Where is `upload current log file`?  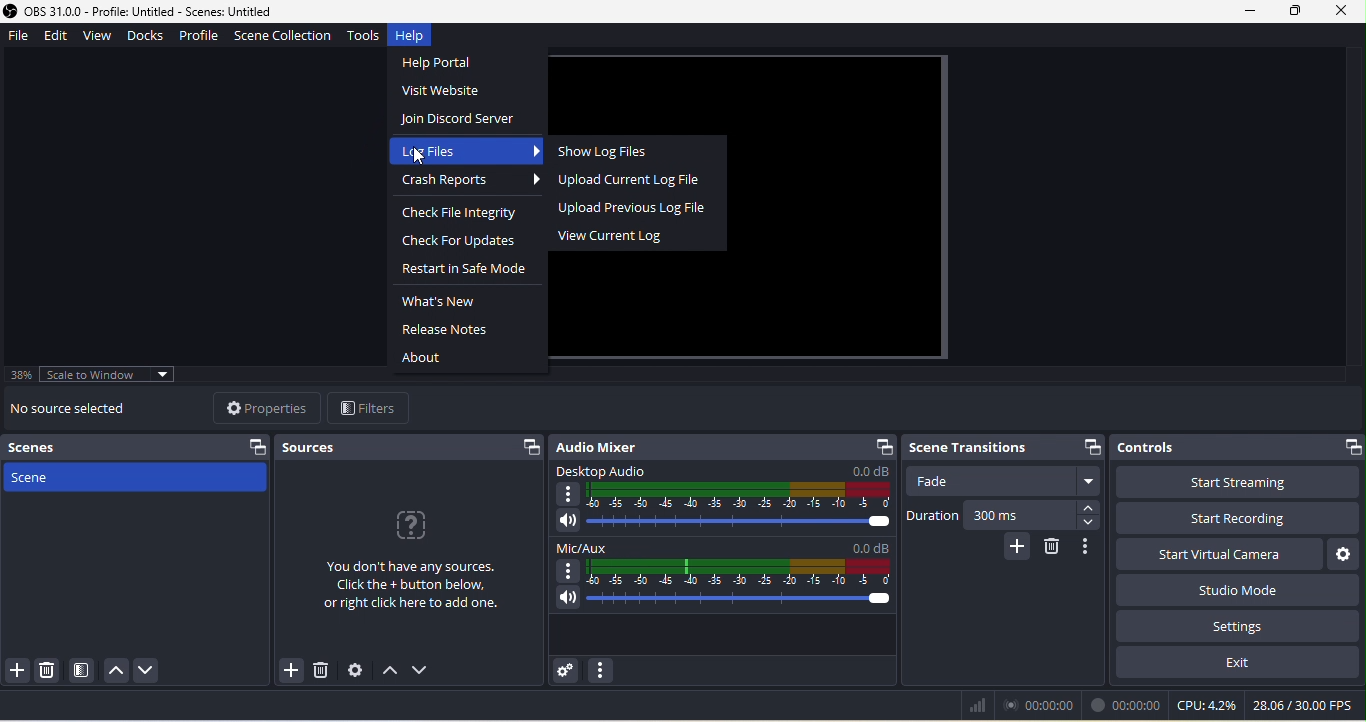 upload current log file is located at coordinates (628, 183).